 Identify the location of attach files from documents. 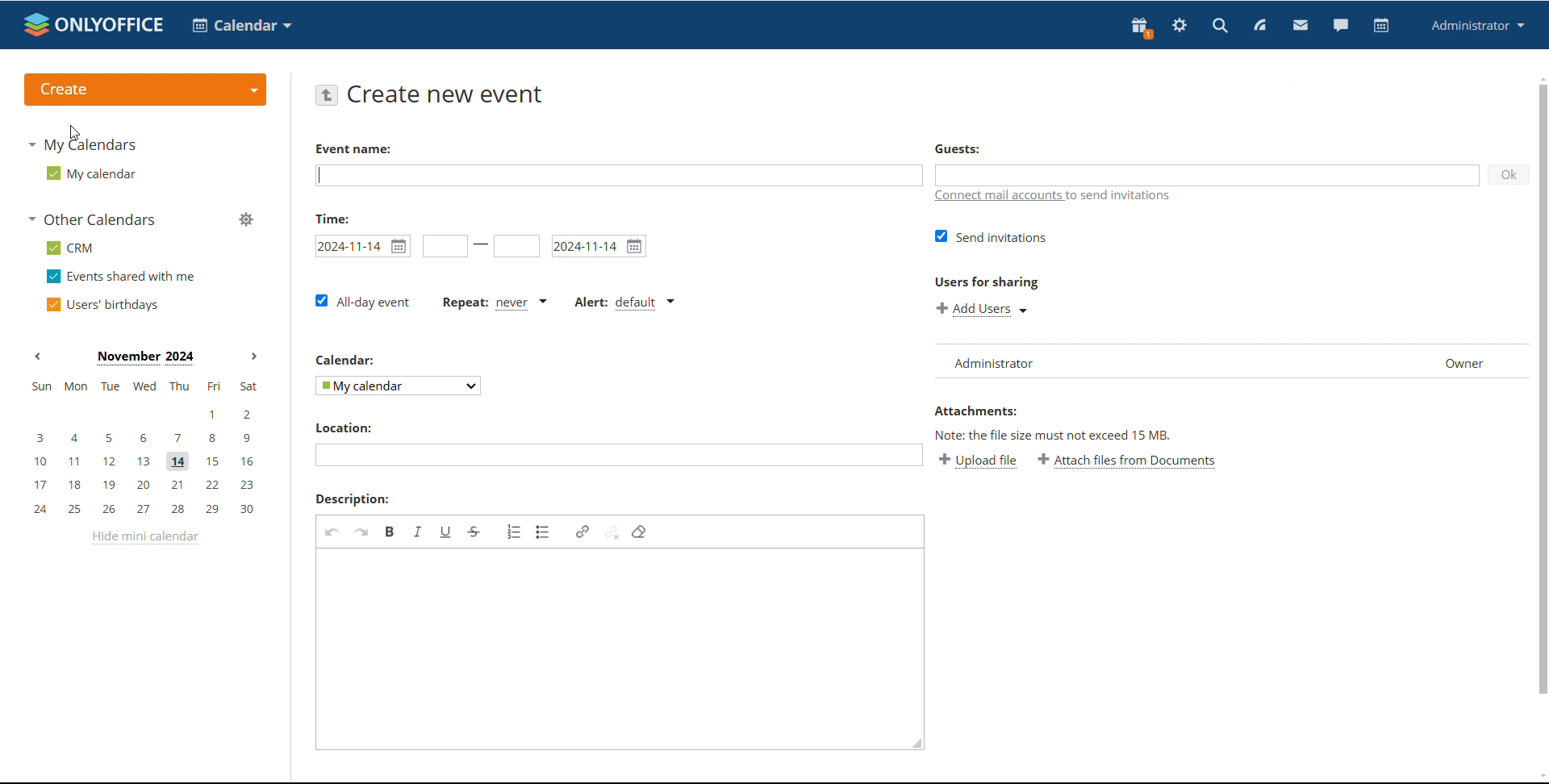
(1128, 461).